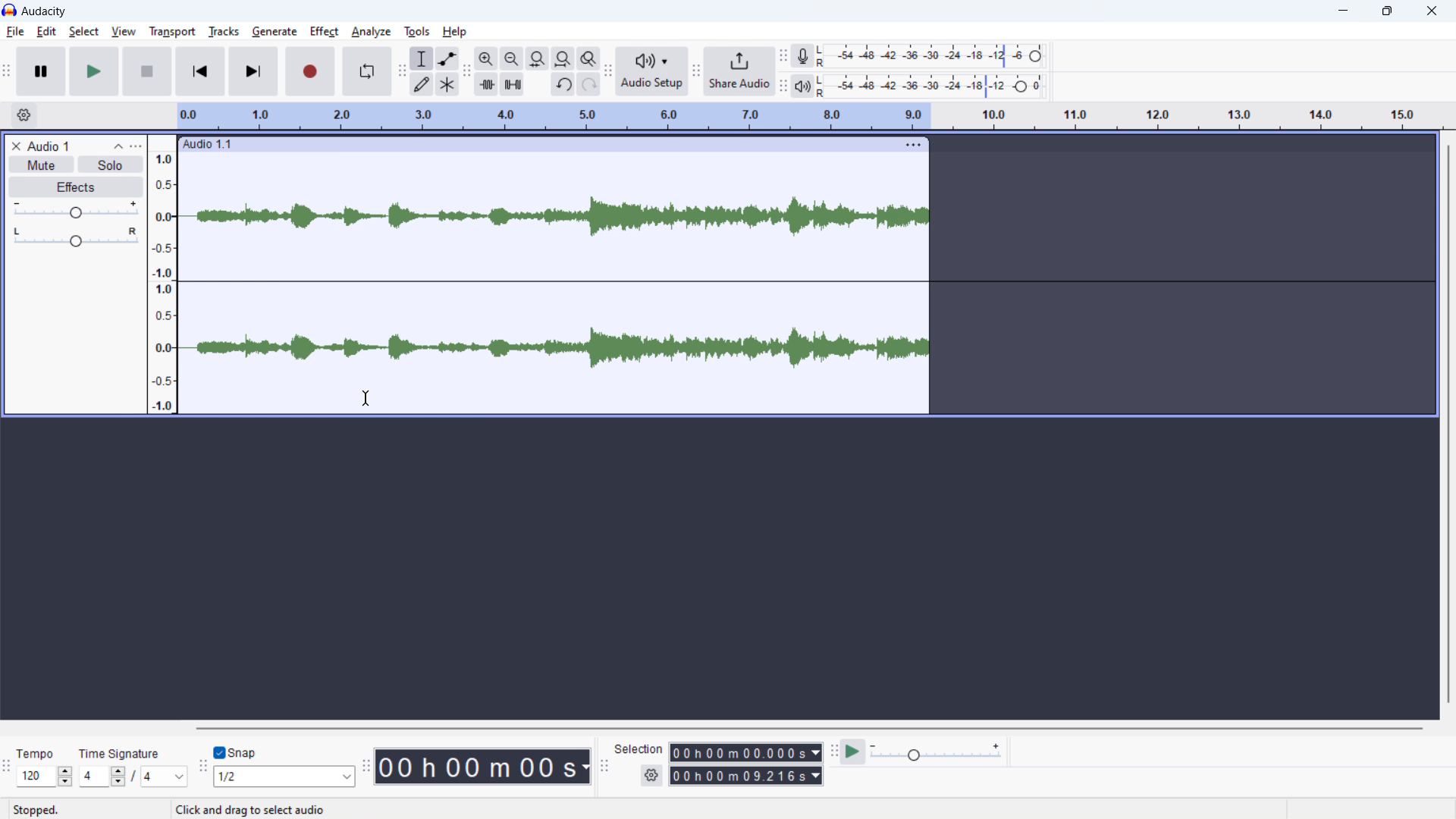 This screenshot has height=819, width=1456. I want to click on trim audio outside selection, so click(486, 83).